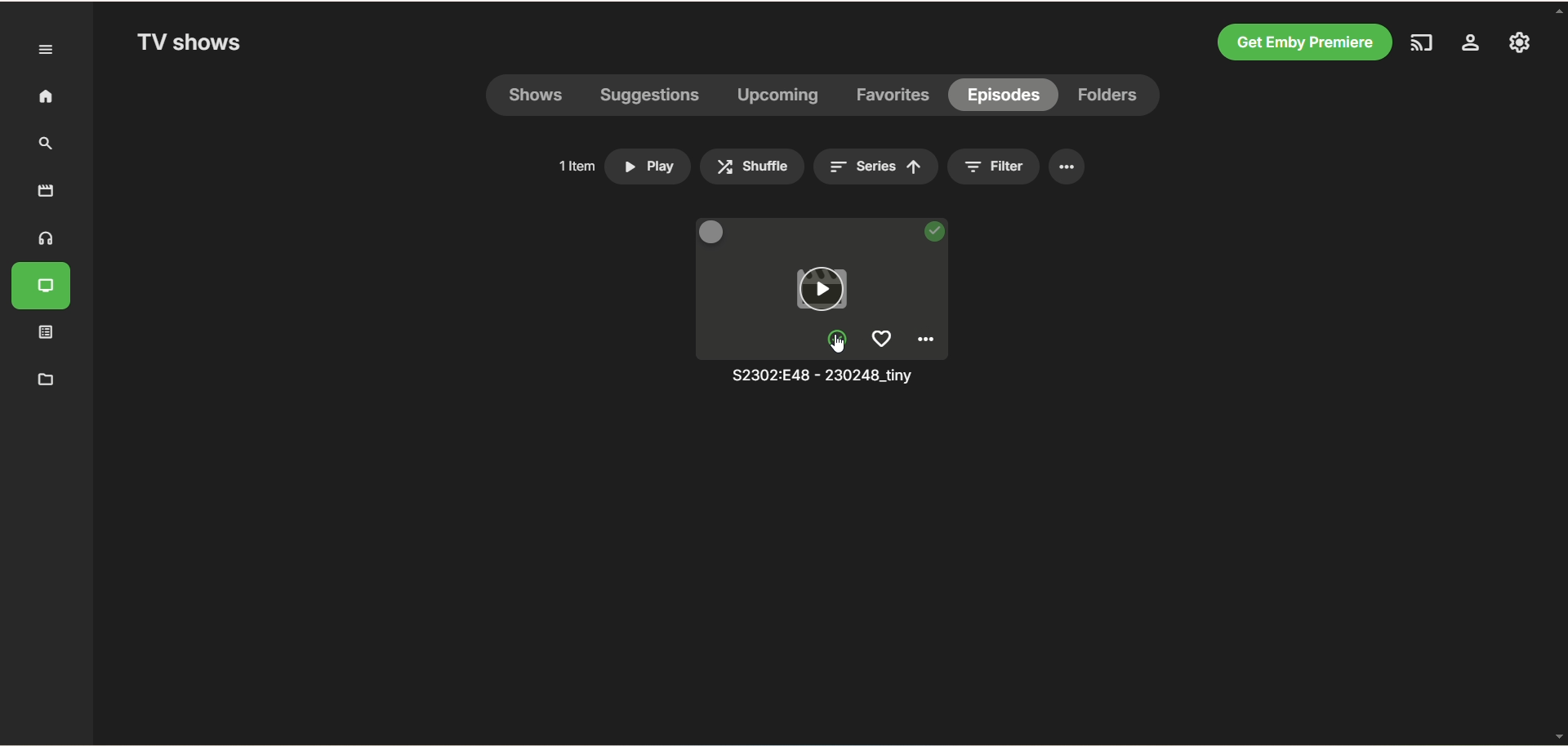 This screenshot has height=746, width=1568. I want to click on settings, so click(1473, 43).